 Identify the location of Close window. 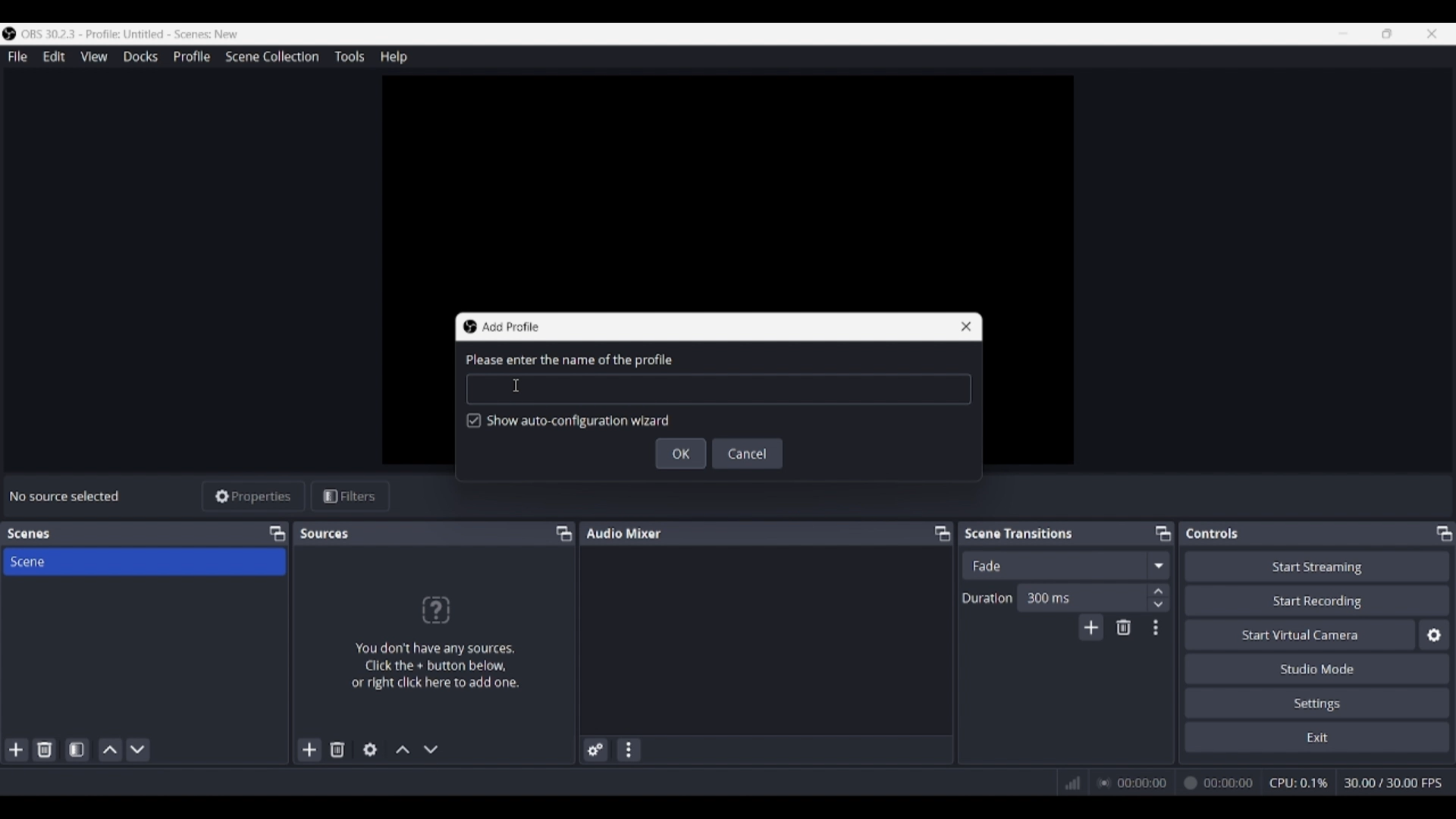
(966, 327).